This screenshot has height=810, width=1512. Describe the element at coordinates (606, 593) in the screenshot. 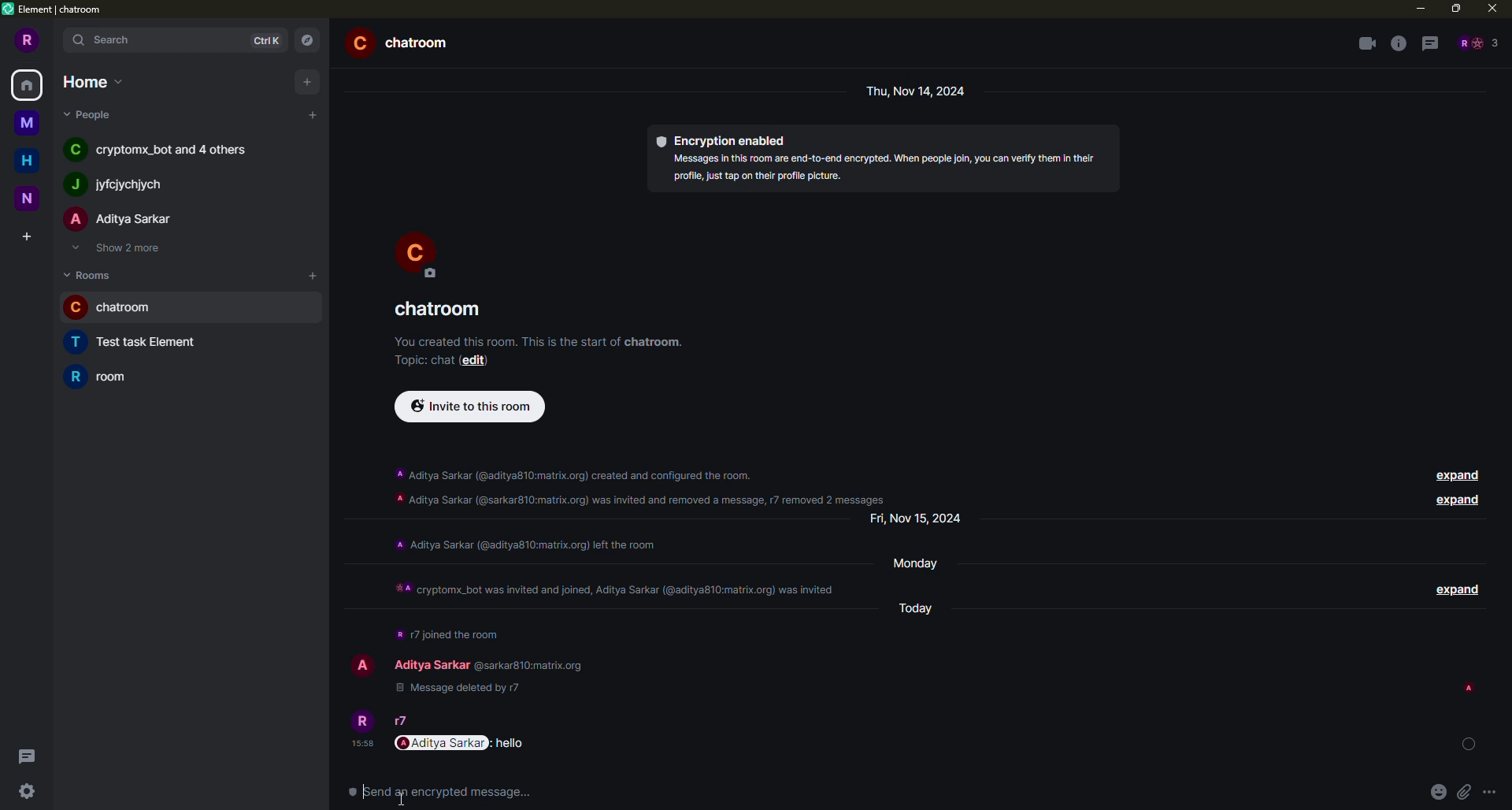

I see `info` at that location.